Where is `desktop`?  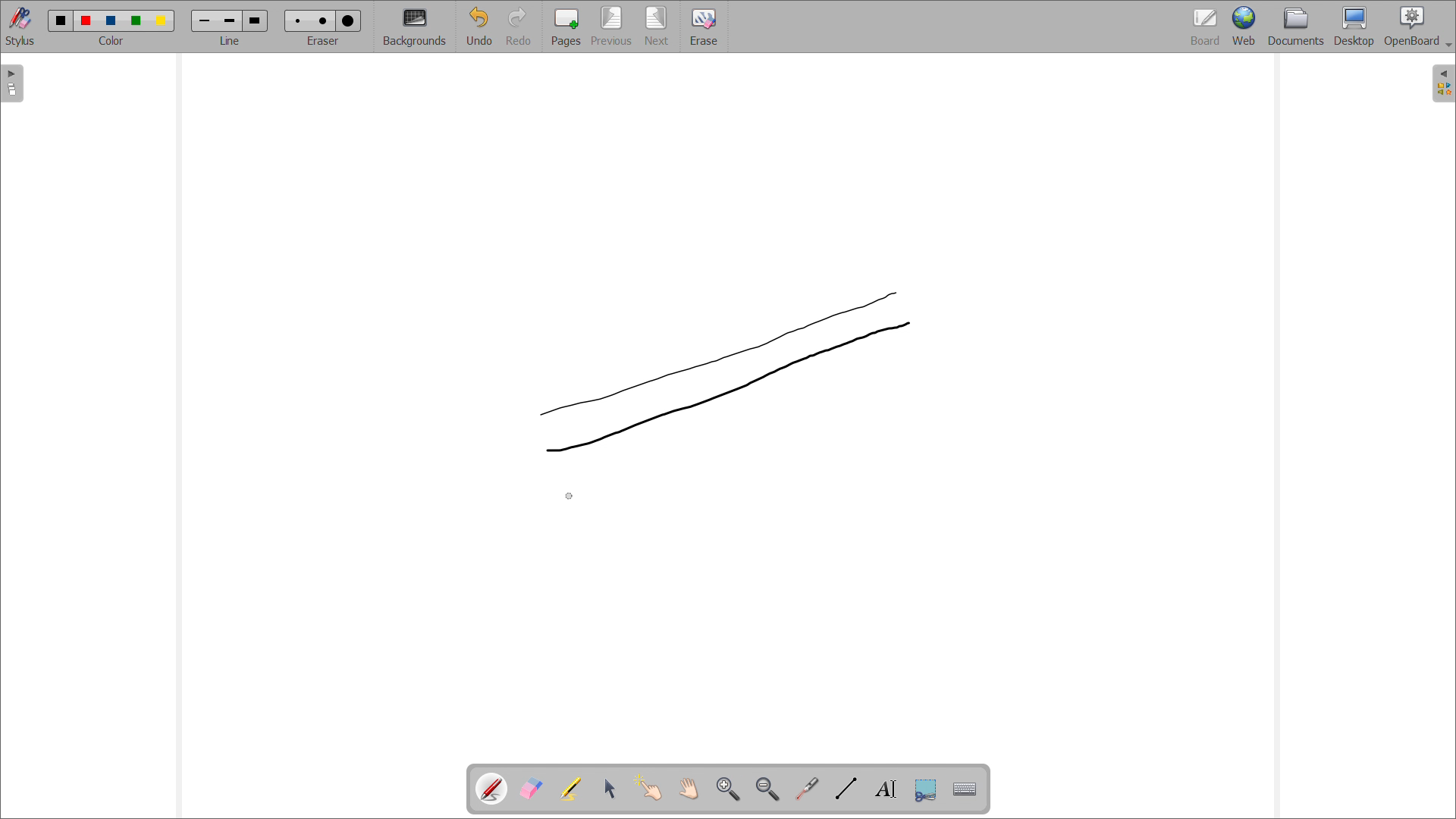
desktop is located at coordinates (1354, 27).